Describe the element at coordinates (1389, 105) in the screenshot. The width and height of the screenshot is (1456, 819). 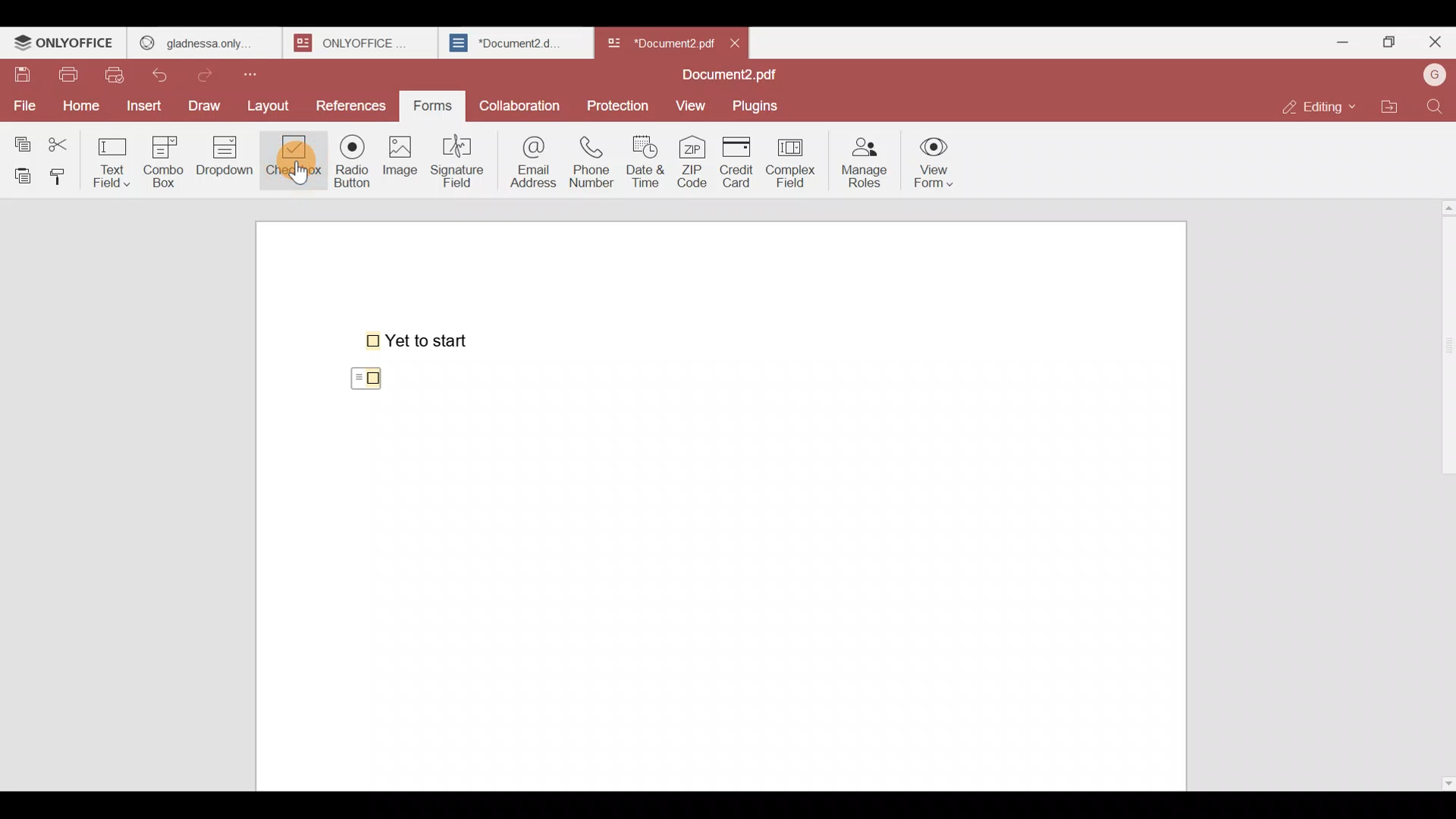
I see `Open file location` at that location.